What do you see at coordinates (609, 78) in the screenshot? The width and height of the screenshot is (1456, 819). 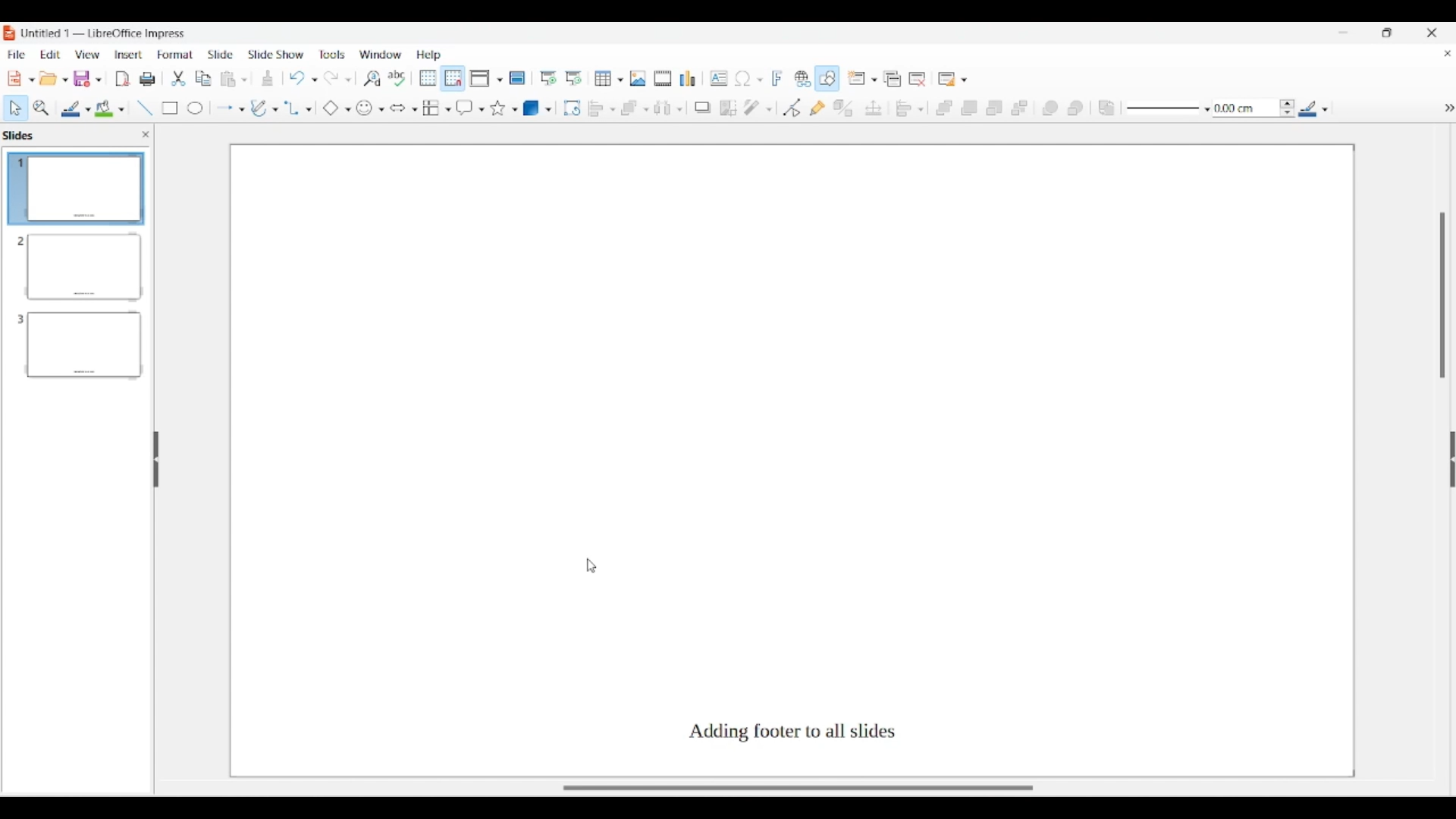 I see `Insert table options` at bounding box center [609, 78].